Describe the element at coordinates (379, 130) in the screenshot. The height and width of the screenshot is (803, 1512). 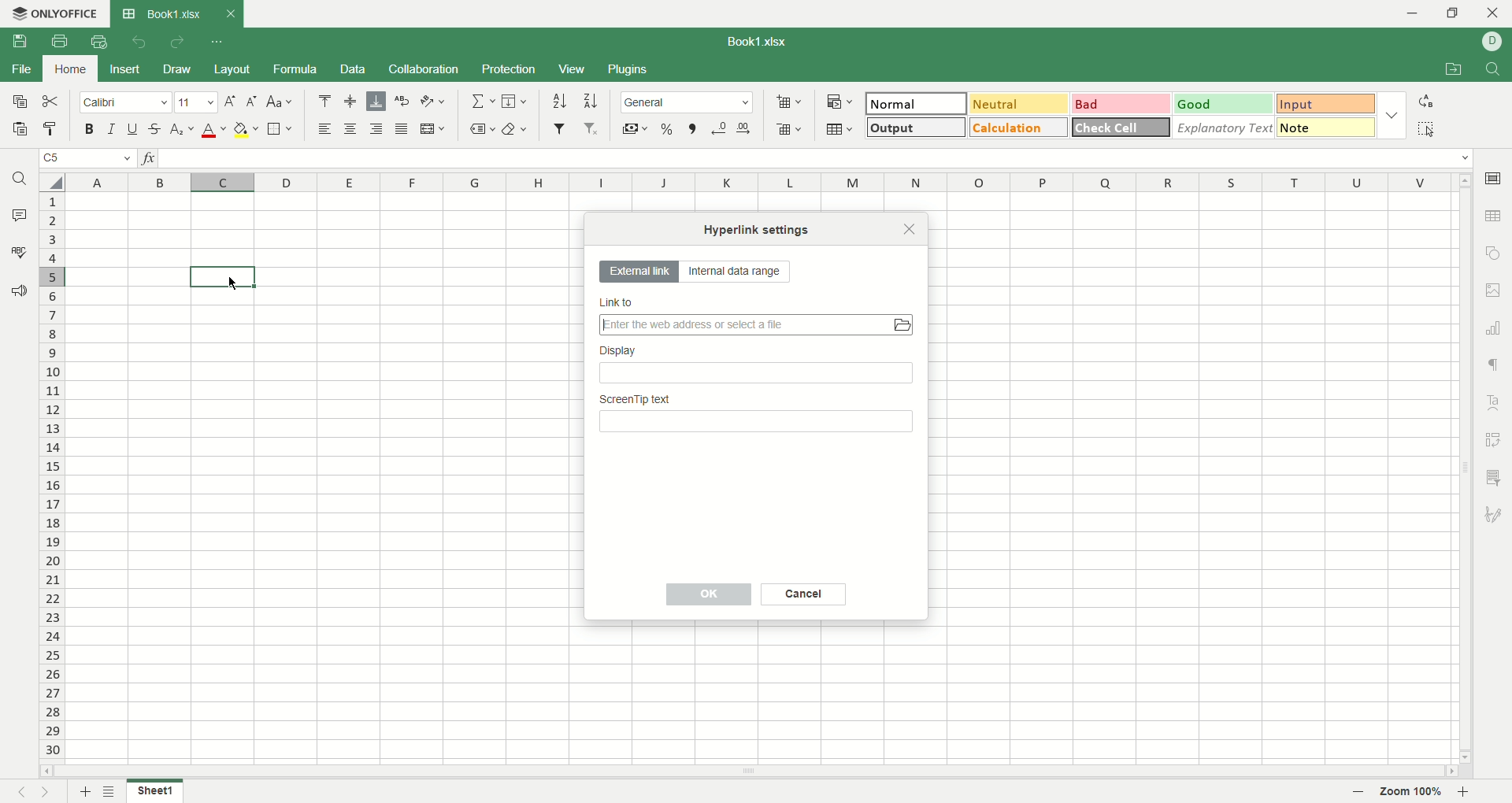
I see `align right` at that location.